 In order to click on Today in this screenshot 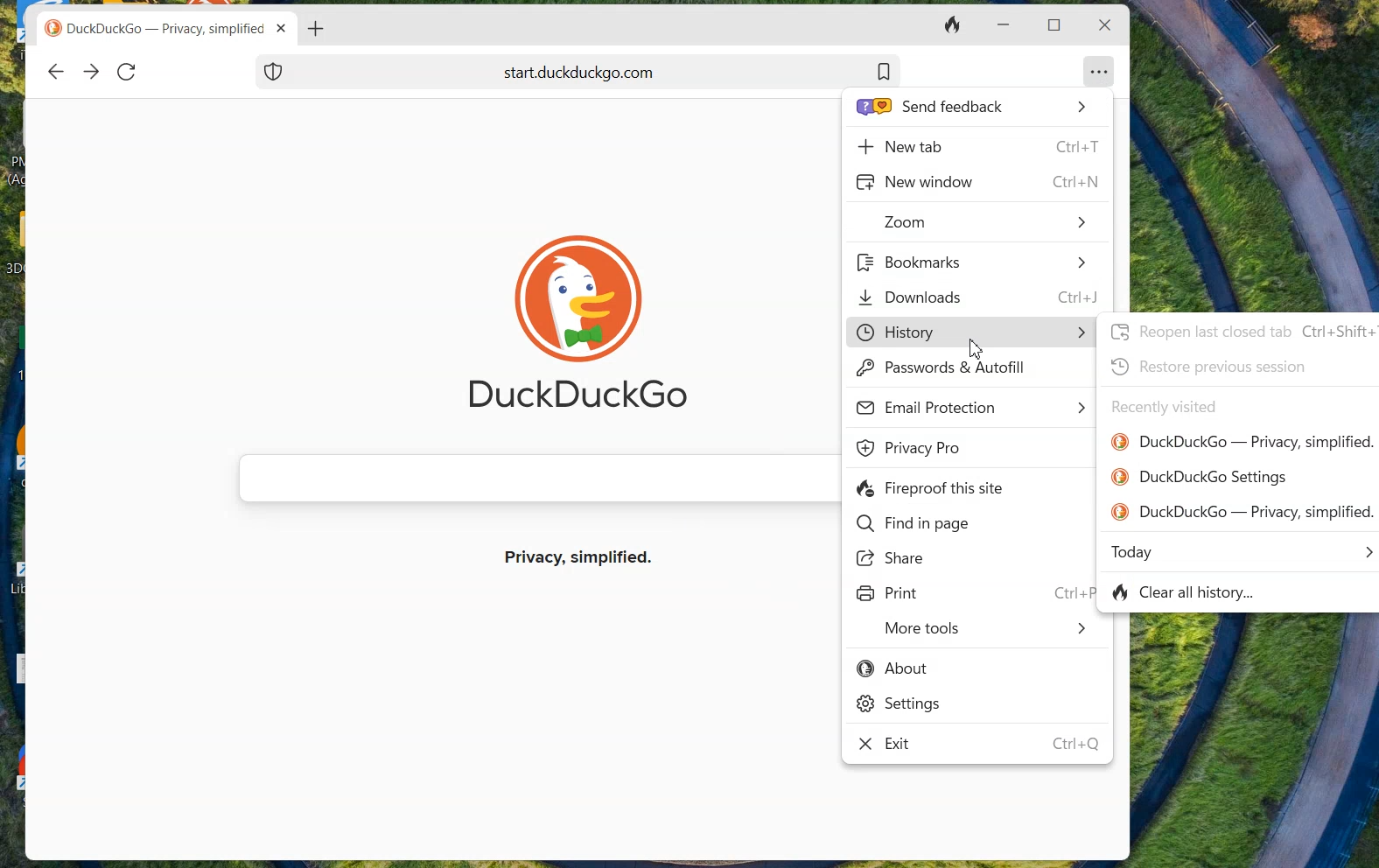, I will do `click(1242, 551)`.